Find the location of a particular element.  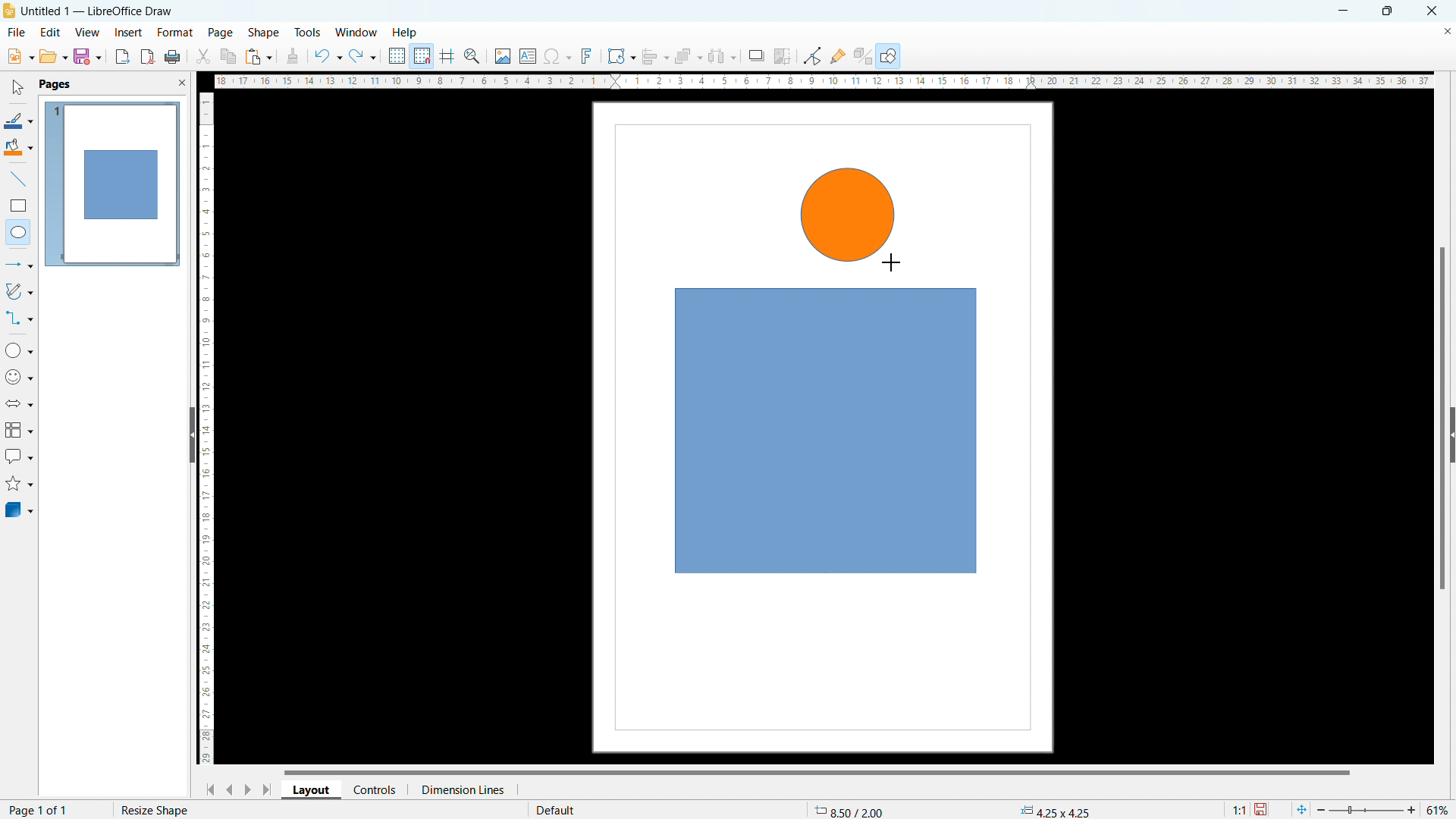

arrange is located at coordinates (688, 57).